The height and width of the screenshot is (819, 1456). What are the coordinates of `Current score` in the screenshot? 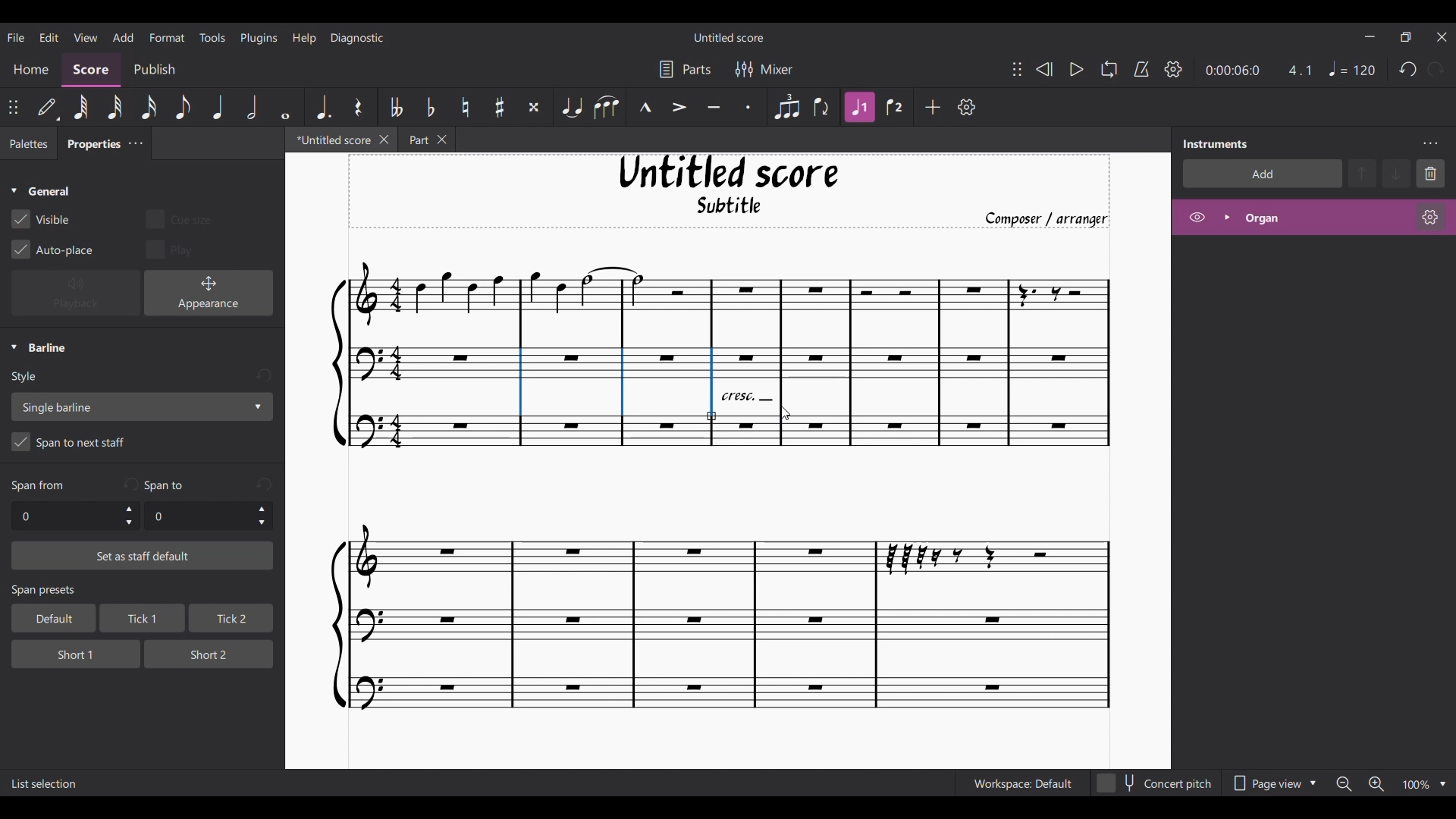 It's located at (712, 591).